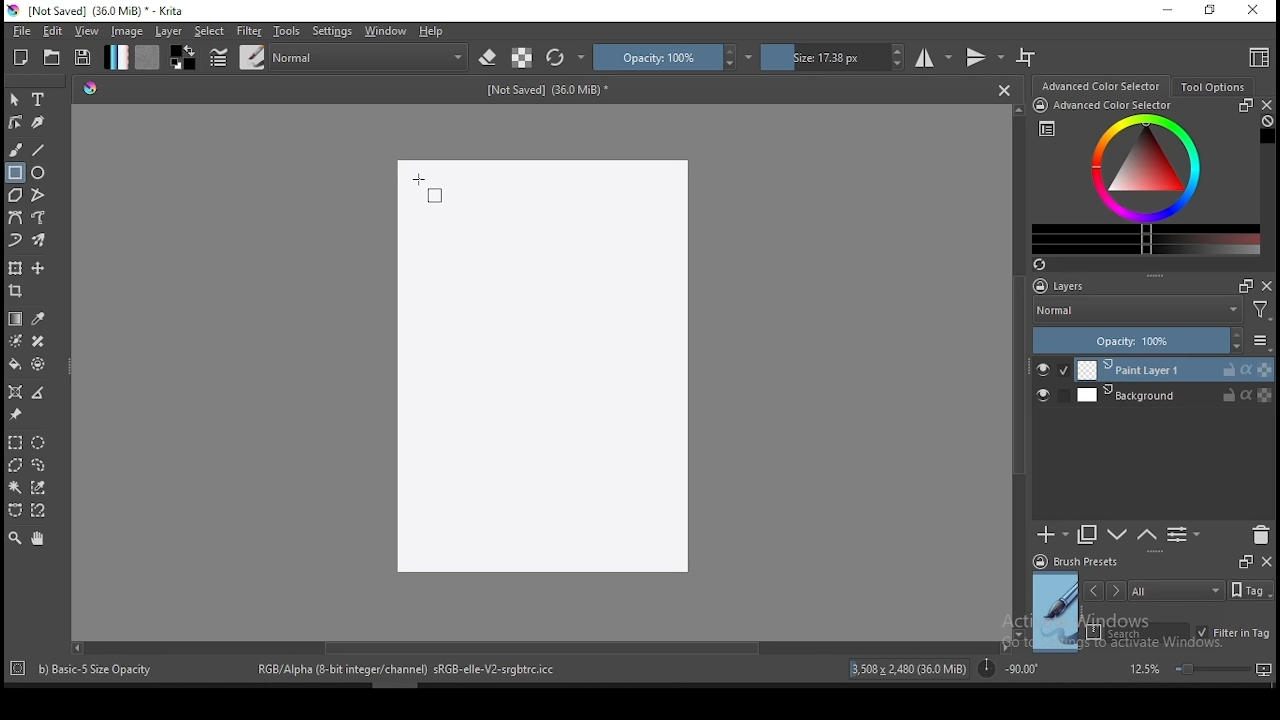 The image size is (1280, 720). I want to click on pattern, so click(147, 57).